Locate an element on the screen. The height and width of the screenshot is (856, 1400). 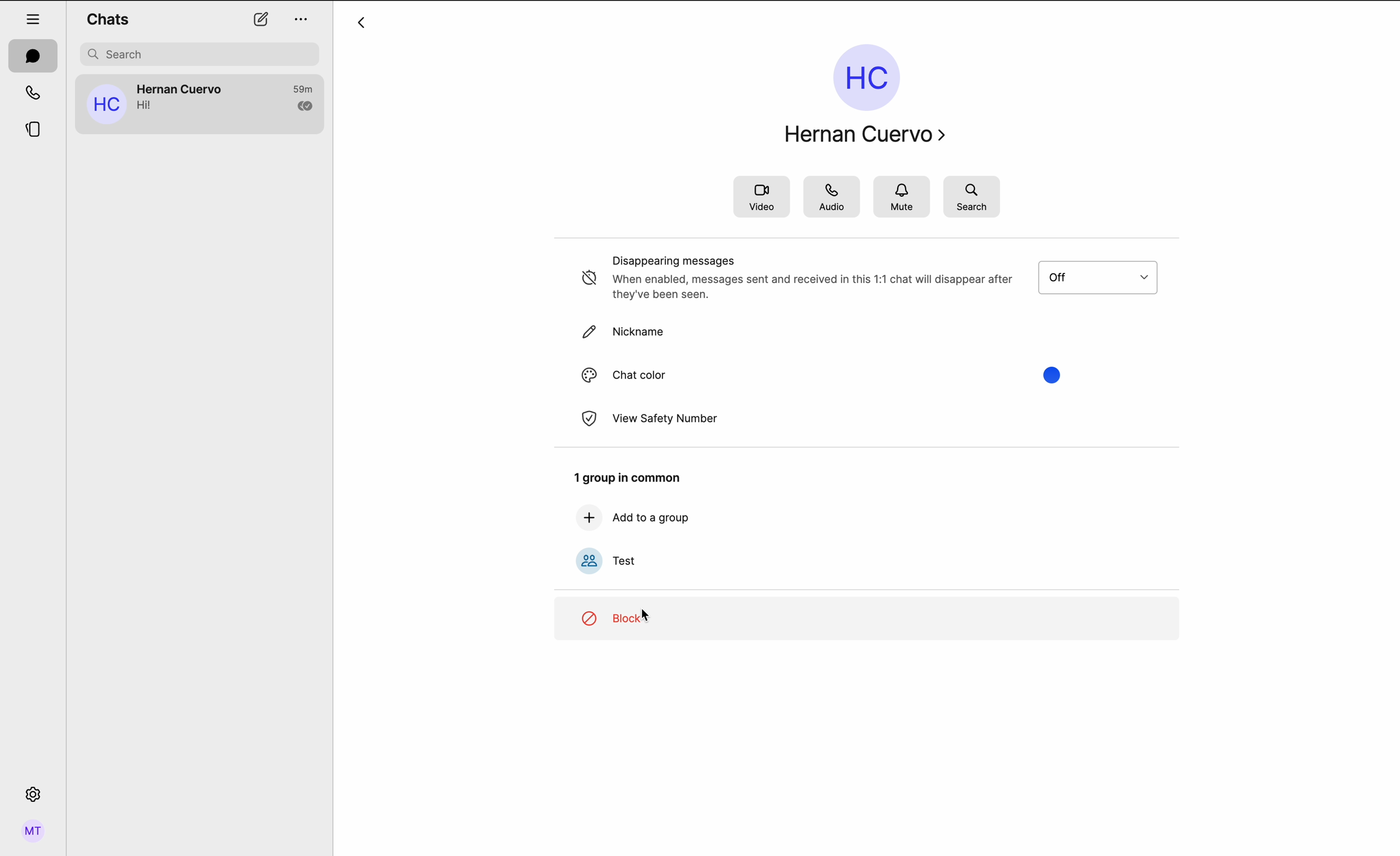
chats is located at coordinates (33, 56).